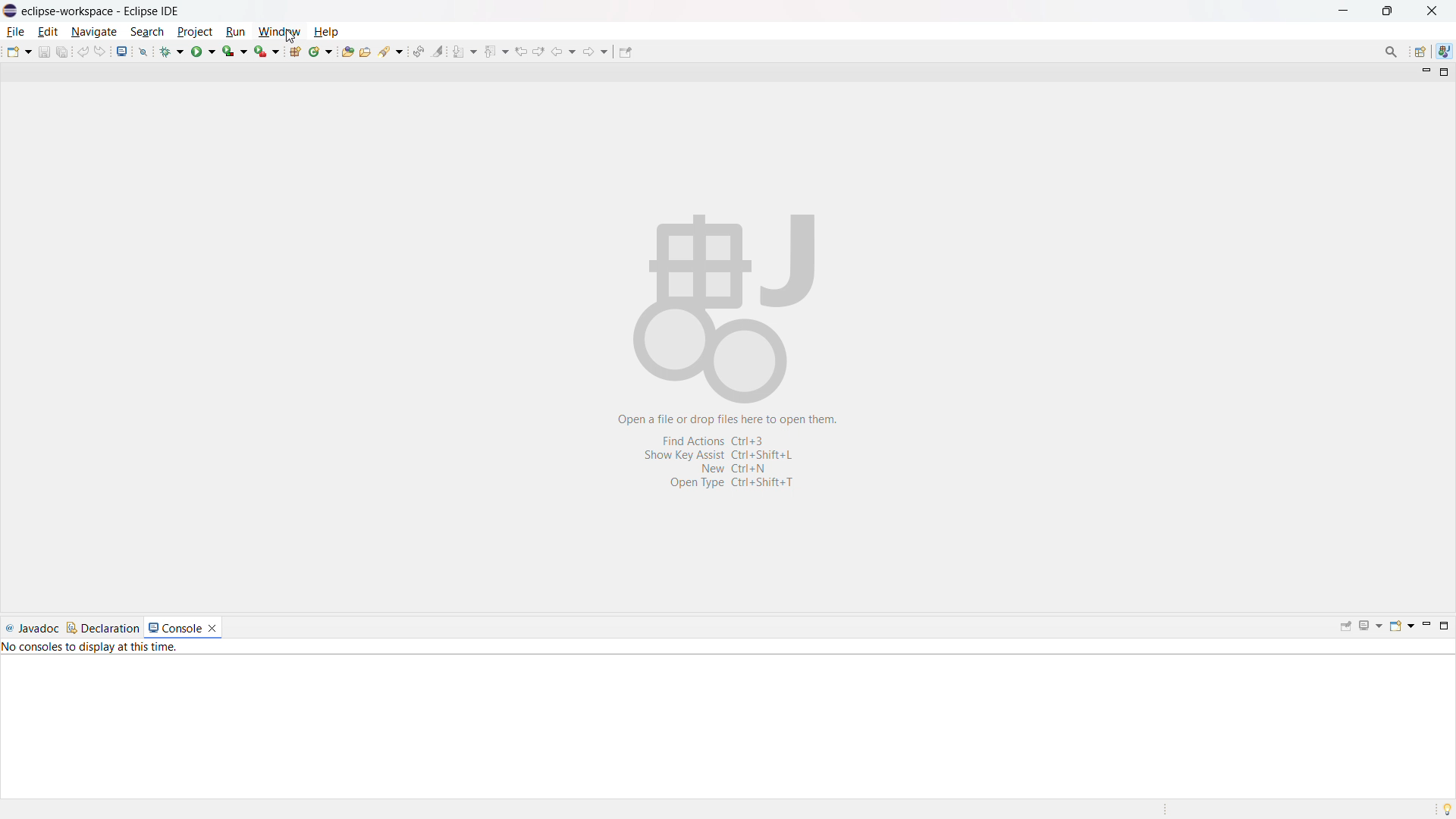 The height and width of the screenshot is (819, 1456). Describe the element at coordinates (1431, 11) in the screenshot. I see `close` at that location.